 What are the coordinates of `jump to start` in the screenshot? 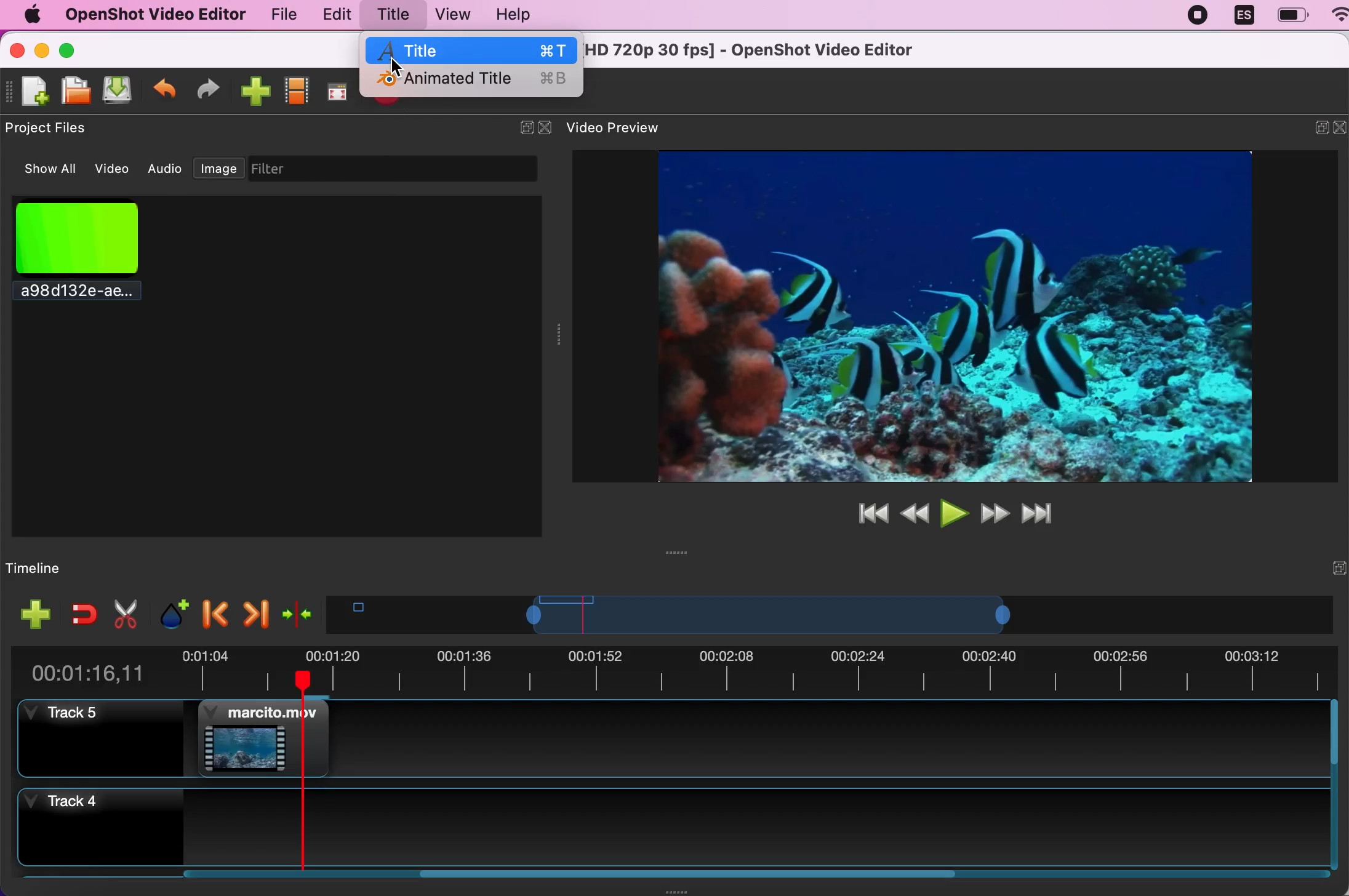 It's located at (869, 513).